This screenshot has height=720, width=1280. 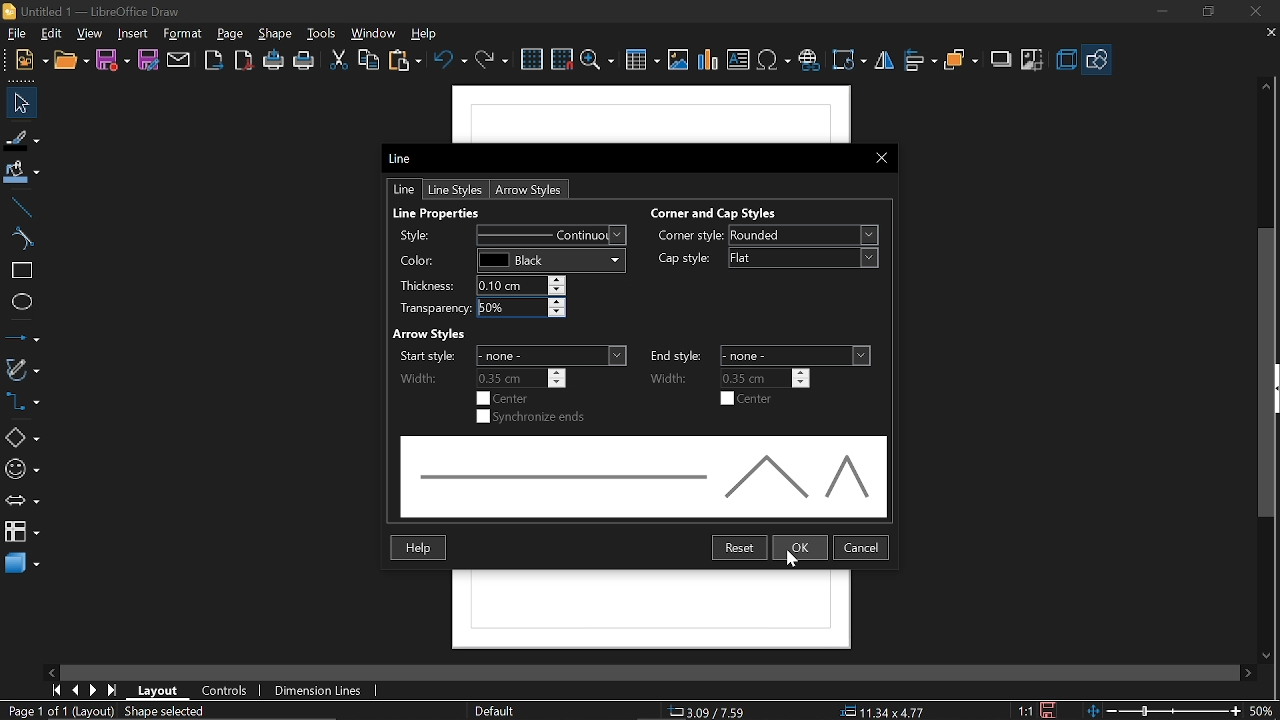 I want to click on curve, so click(x=20, y=238).